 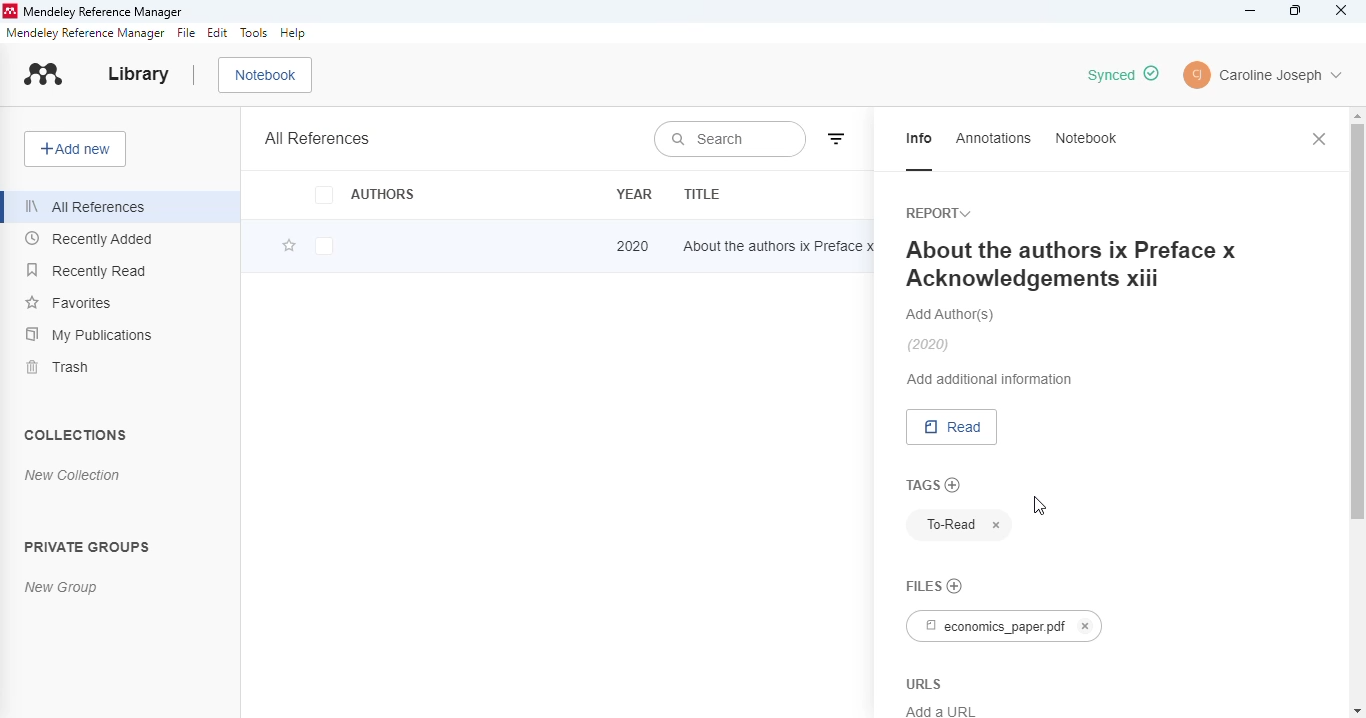 I want to click on recently read, so click(x=85, y=270).